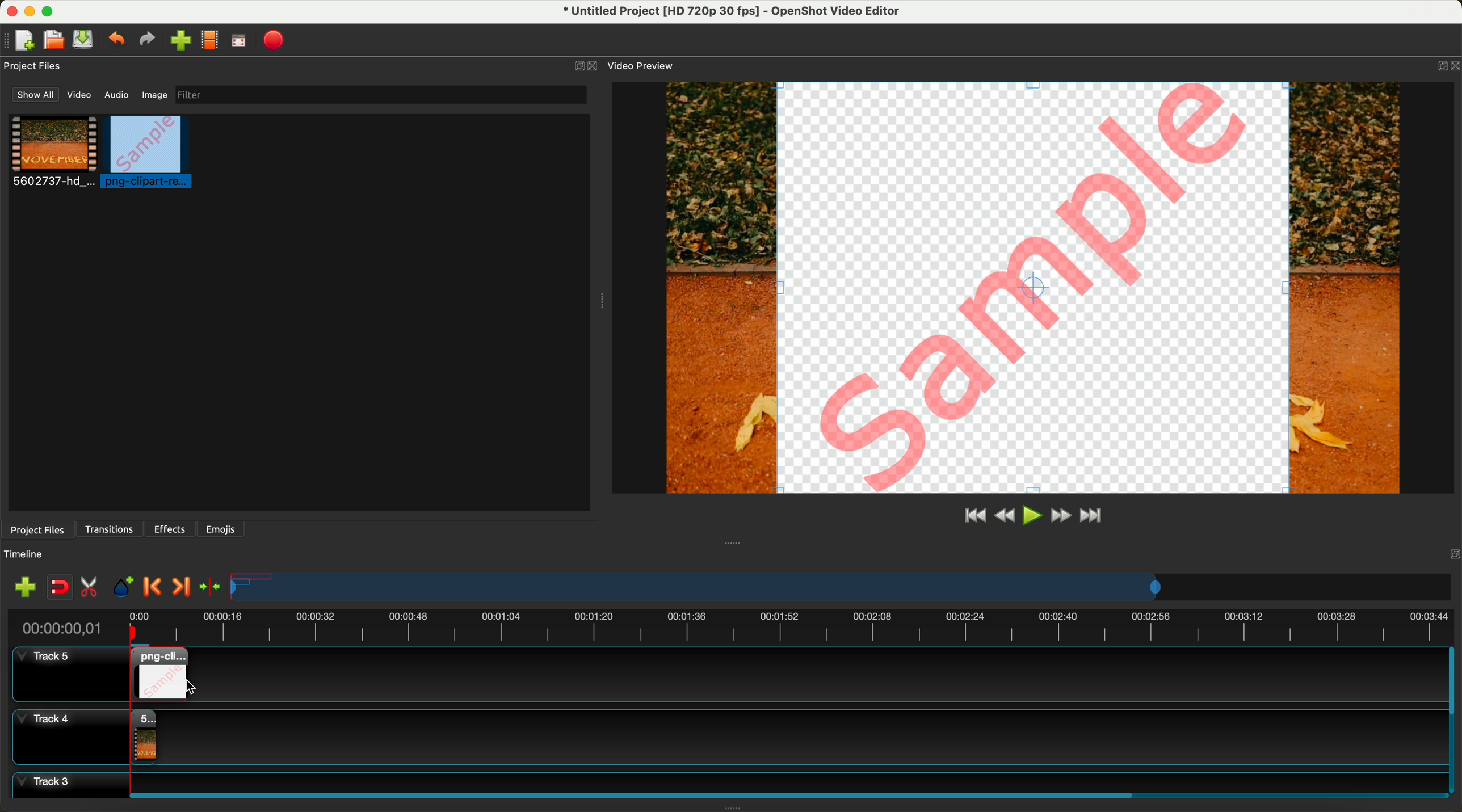 The width and height of the screenshot is (1462, 812). What do you see at coordinates (1039, 287) in the screenshot?
I see `pREVIEW` at bounding box center [1039, 287].